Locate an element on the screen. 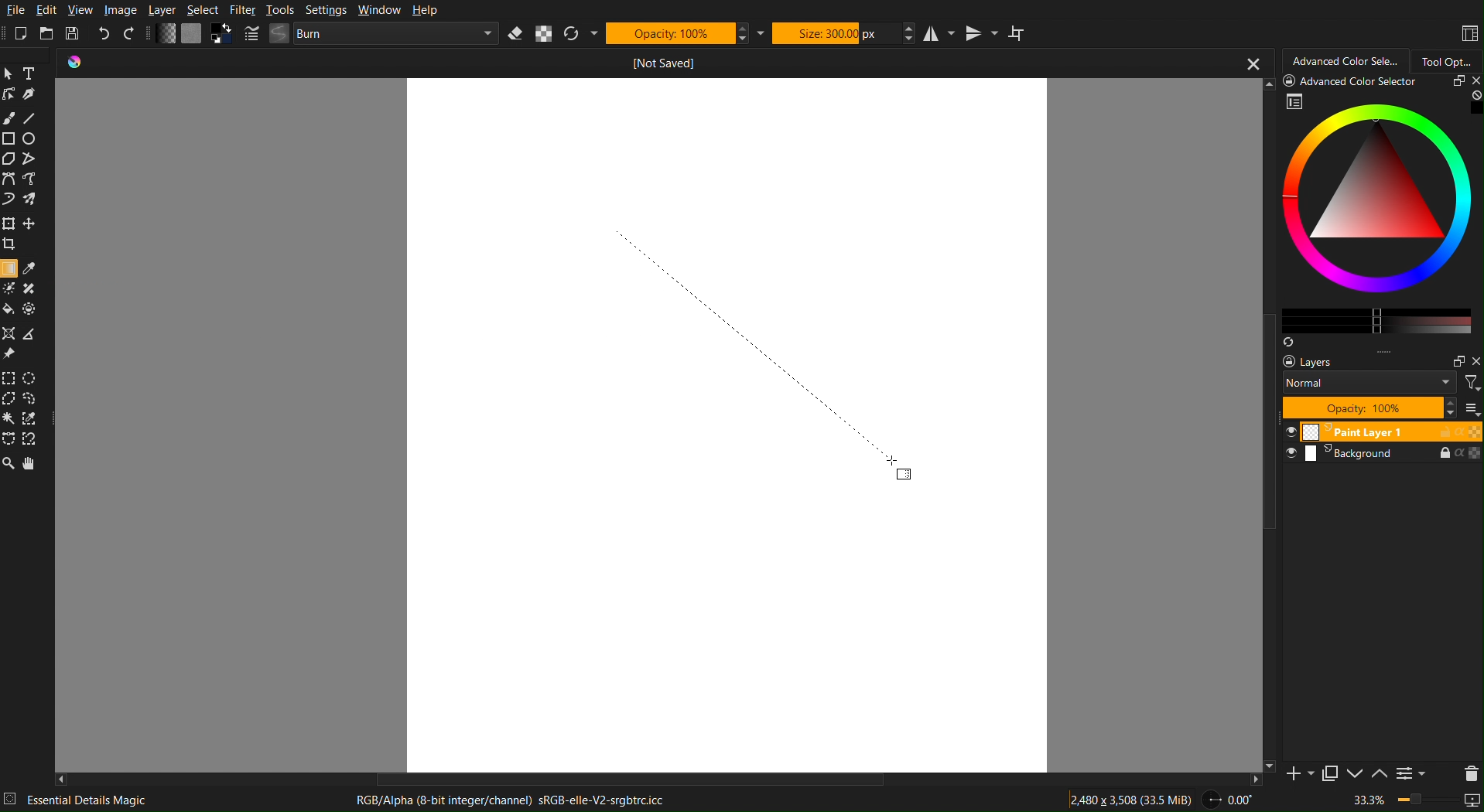 This screenshot has width=1484, height=812. Down is located at coordinates (1353, 775).